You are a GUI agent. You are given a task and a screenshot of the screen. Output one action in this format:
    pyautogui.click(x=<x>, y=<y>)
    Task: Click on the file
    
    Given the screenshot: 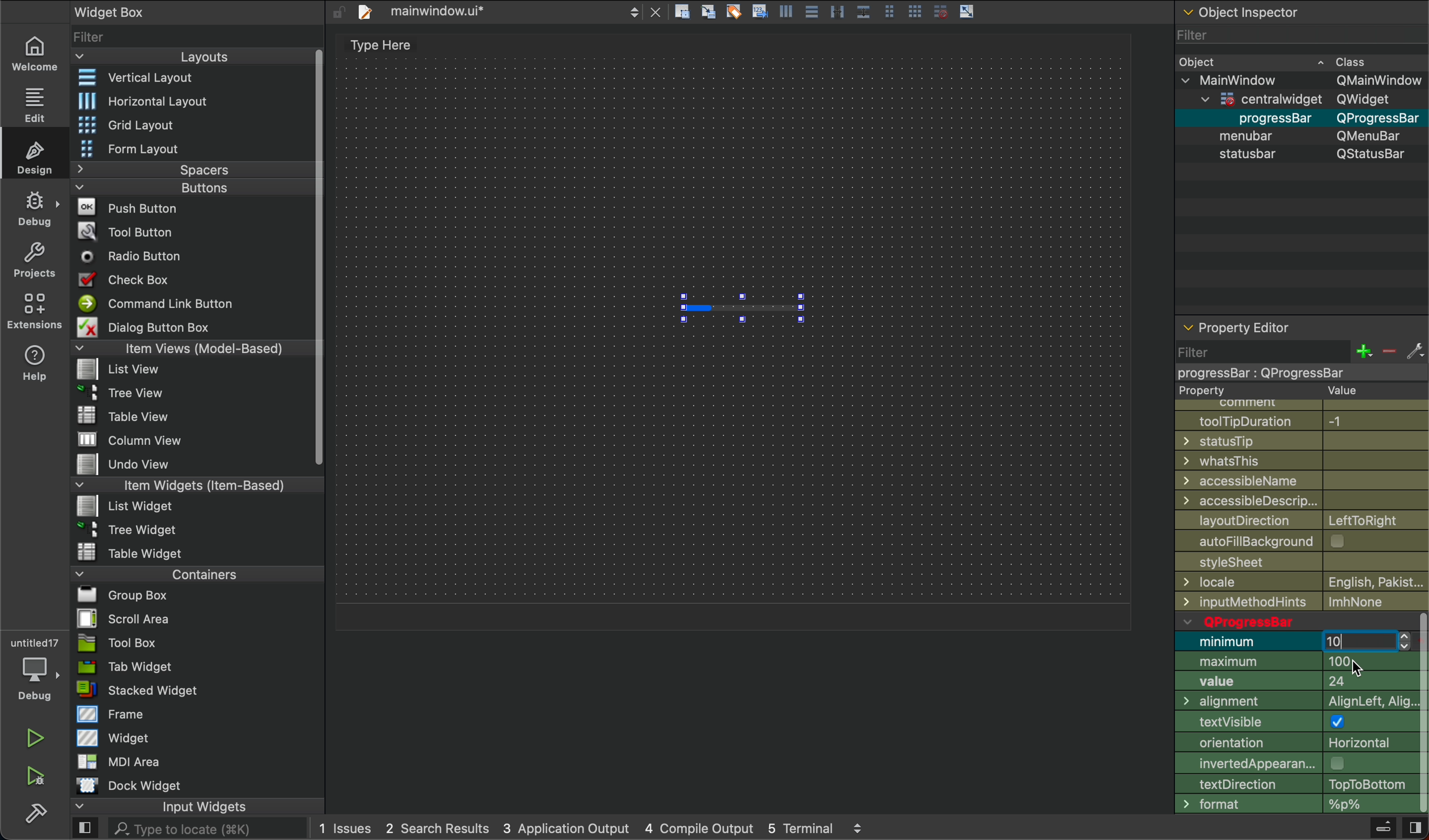 What is the action you would take?
    pyautogui.click(x=1300, y=564)
    